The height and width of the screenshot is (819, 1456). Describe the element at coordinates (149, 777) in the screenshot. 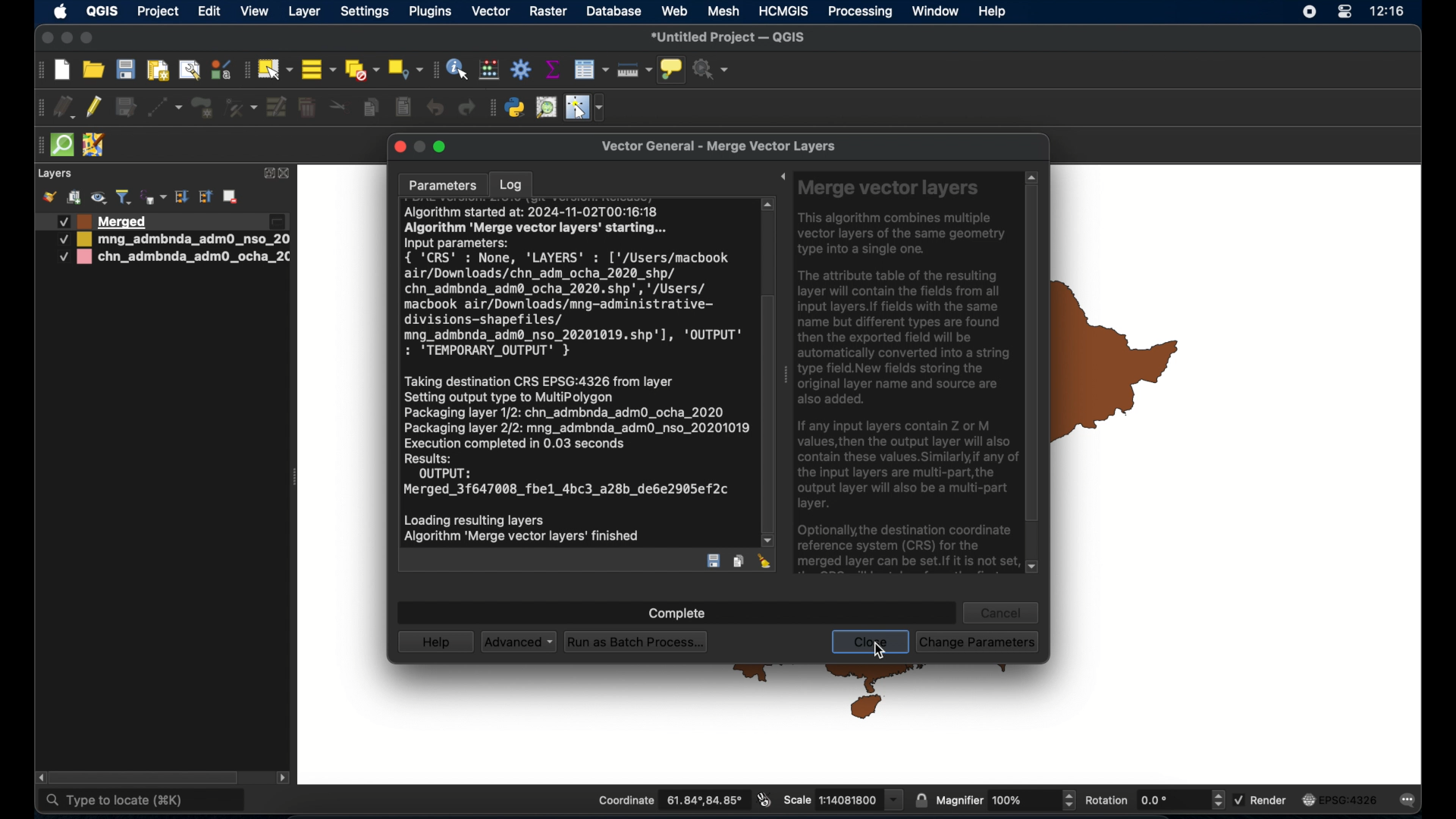

I see `scroll box` at that location.